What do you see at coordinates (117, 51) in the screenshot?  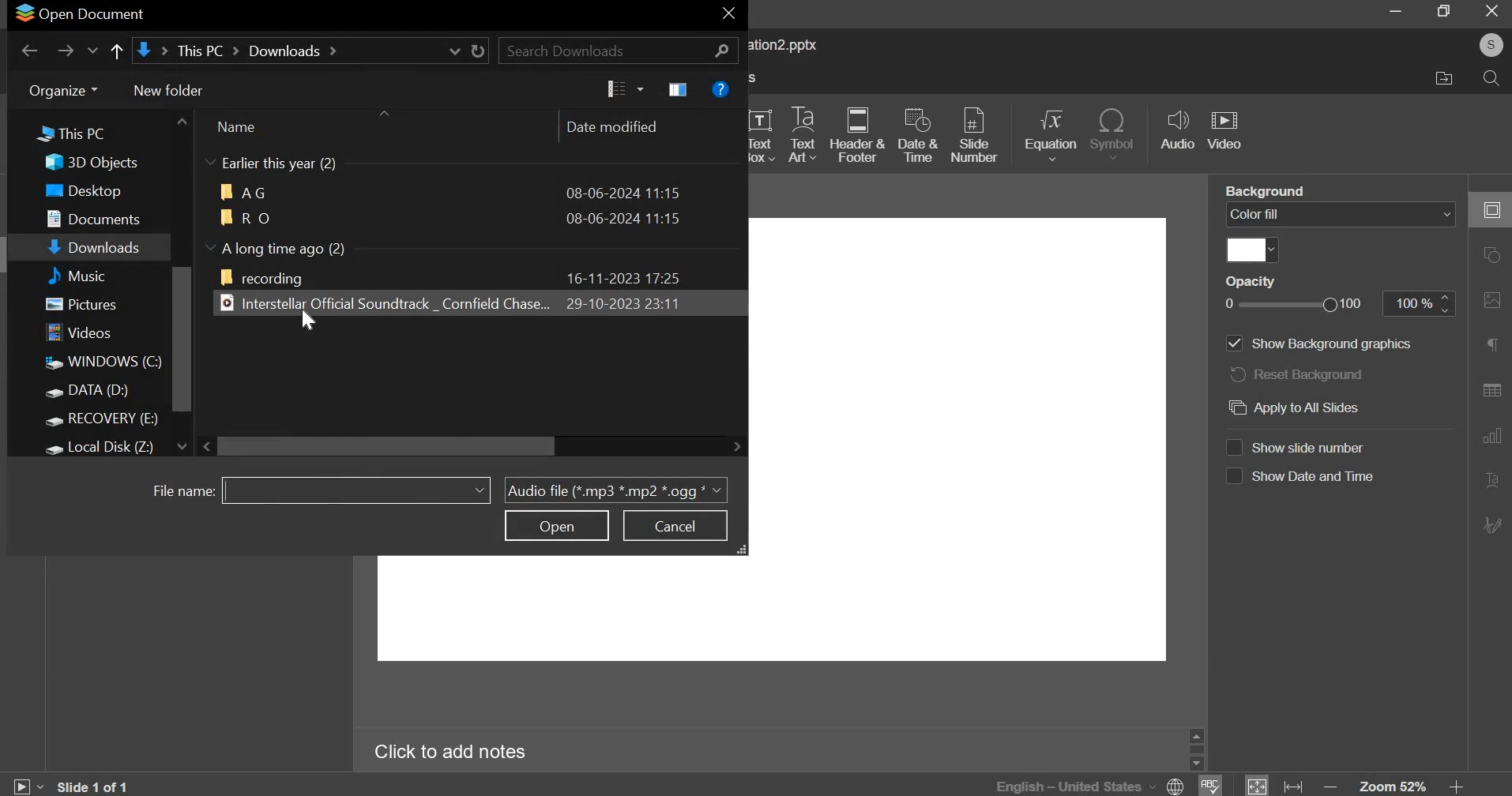 I see `up folder` at bounding box center [117, 51].